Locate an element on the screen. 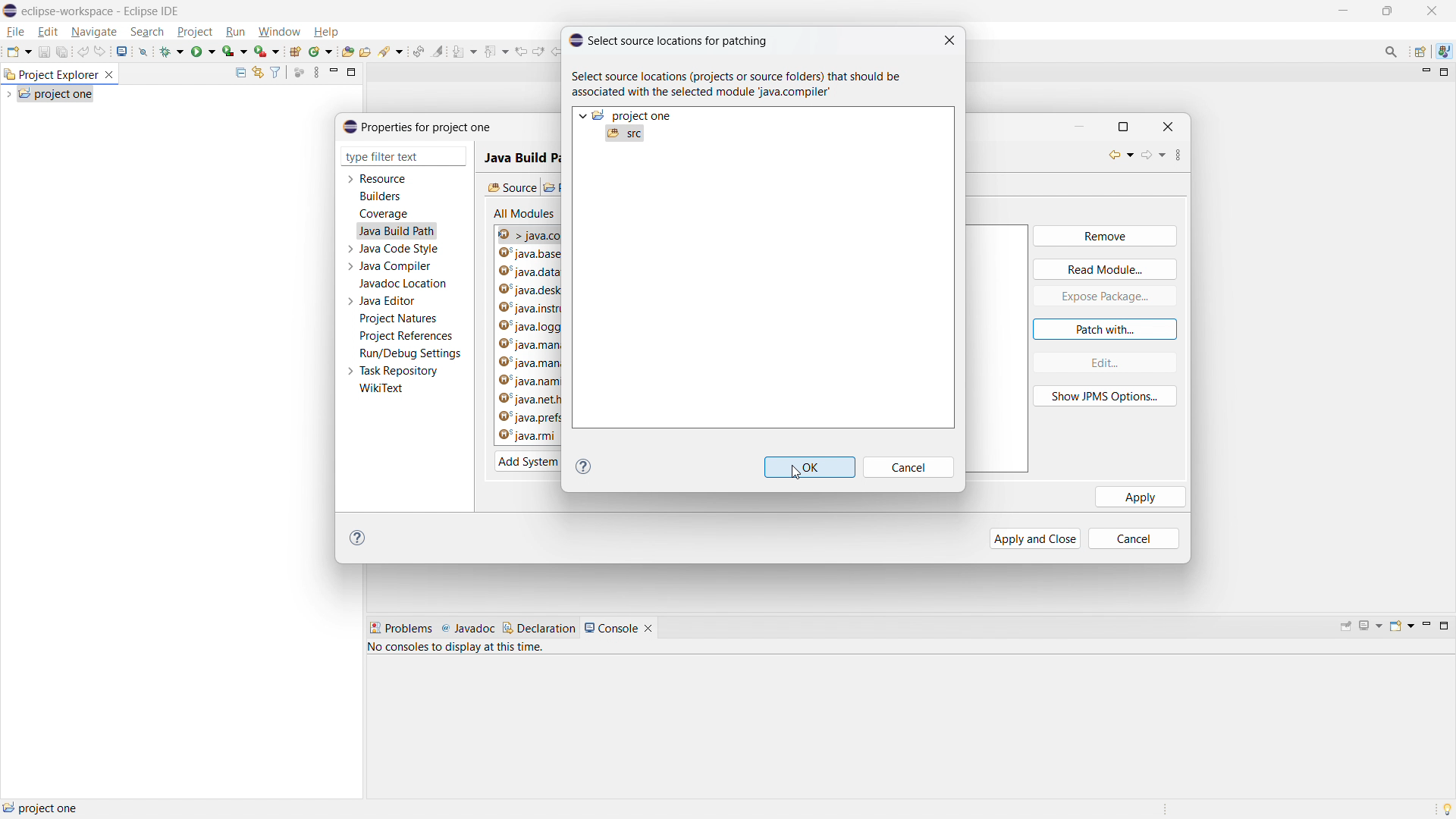  src selected for patching is located at coordinates (625, 133).